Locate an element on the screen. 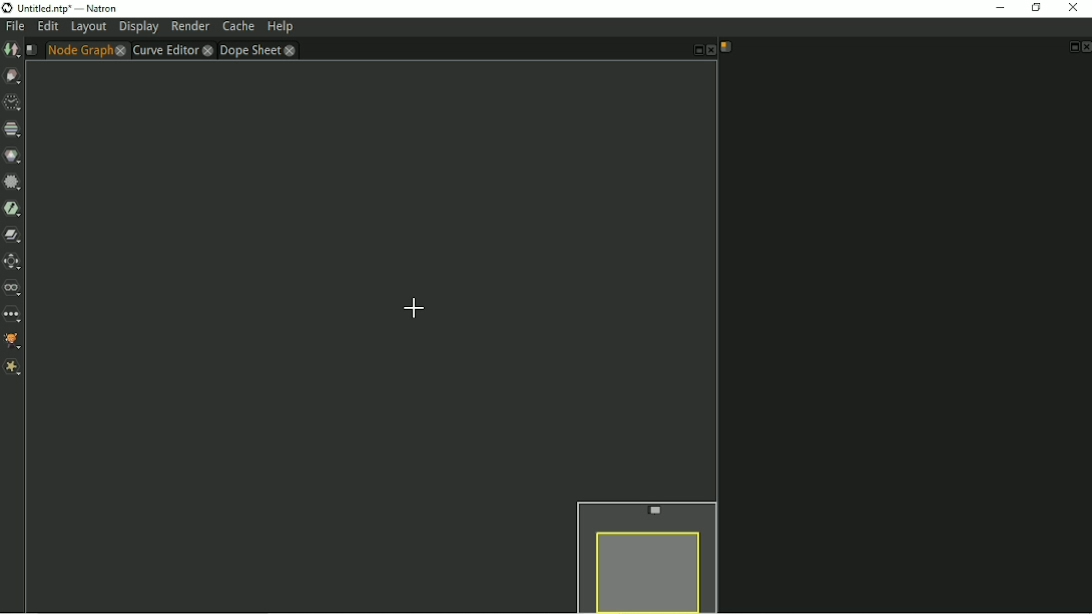 The image size is (1092, 614). GMIC is located at coordinates (14, 343).